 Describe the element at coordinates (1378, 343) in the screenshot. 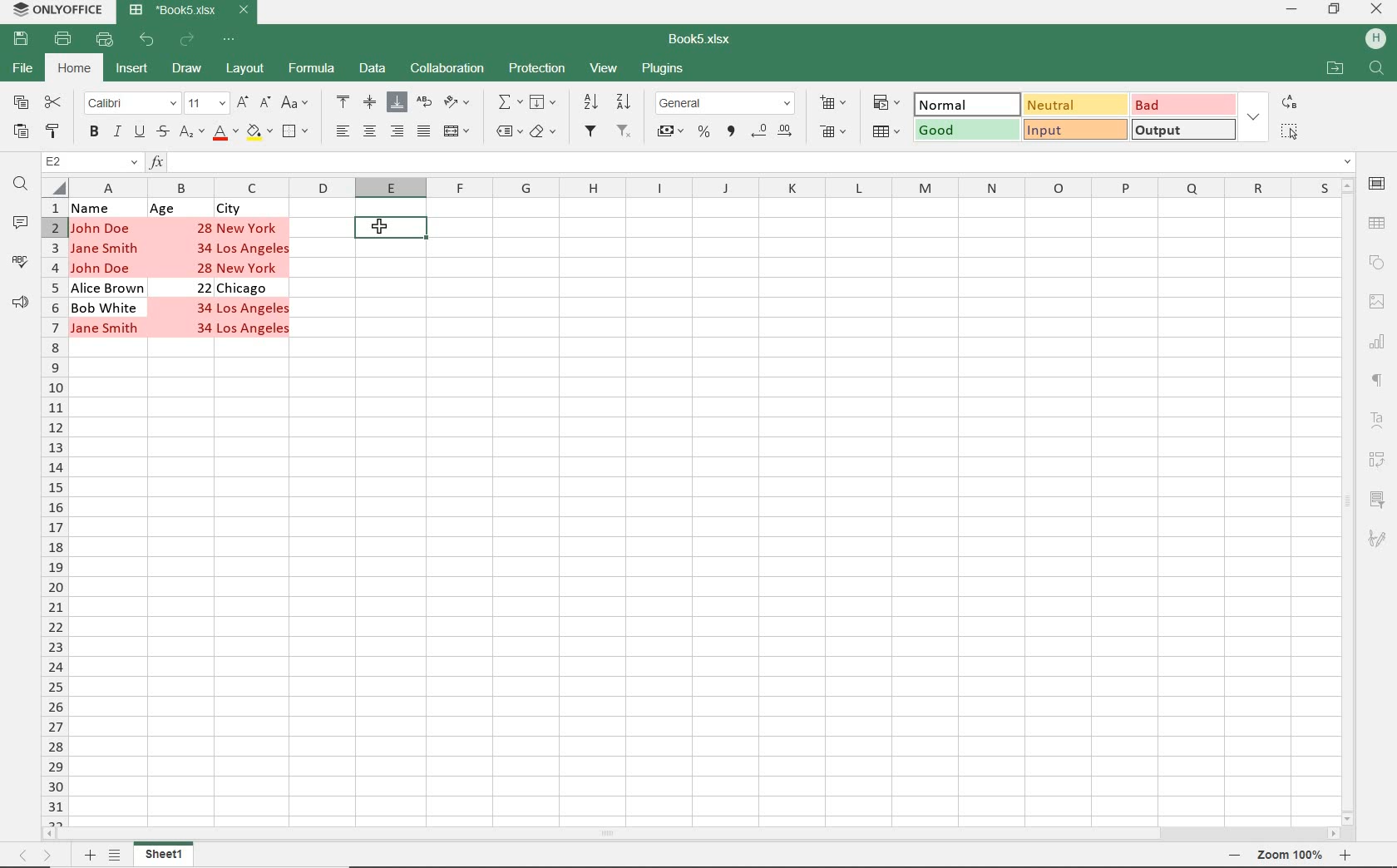

I see `CHART` at that location.